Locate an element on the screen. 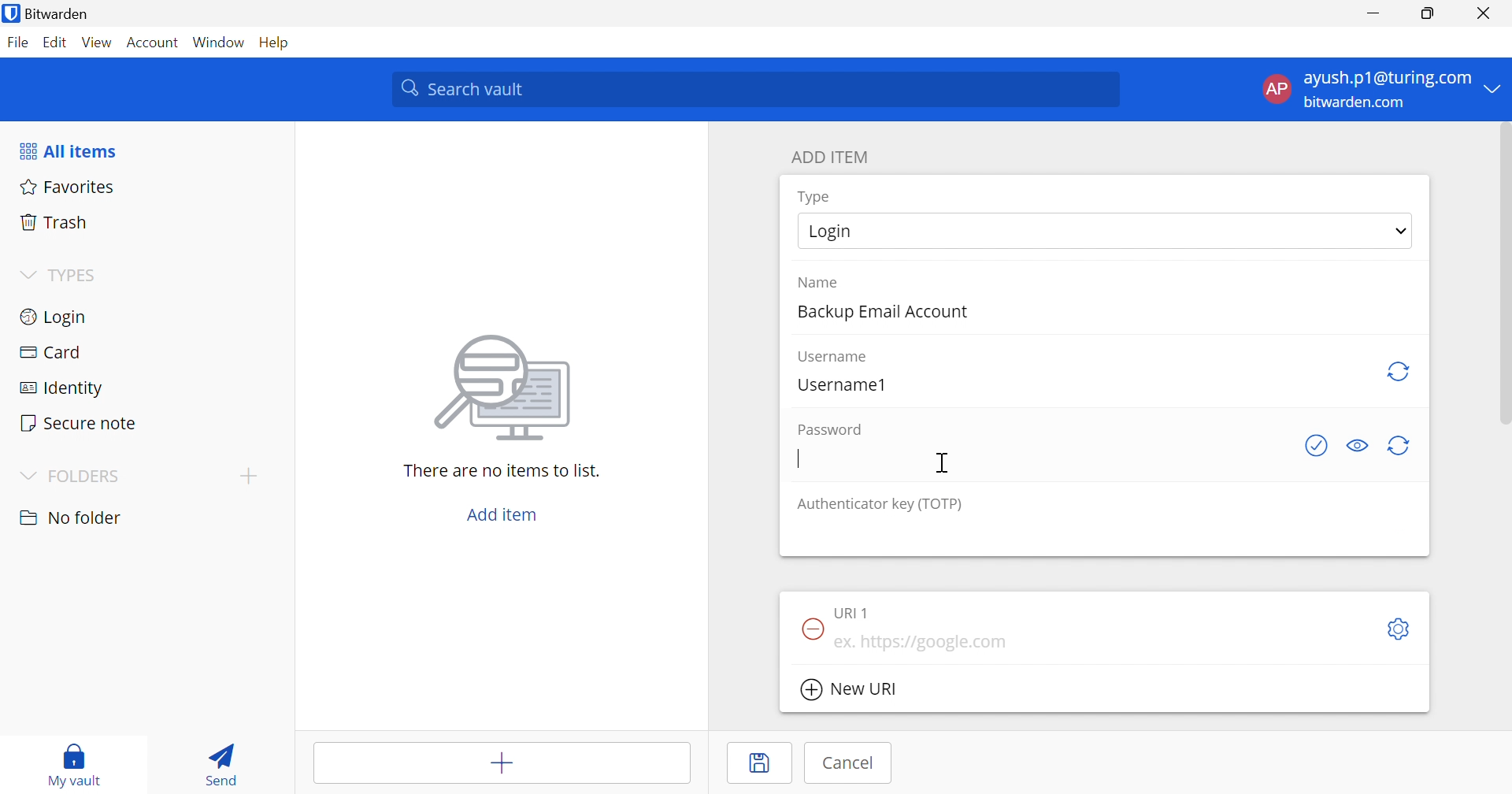 The width and height of the screenshot is (1512, 794). Login is located at coordinates (56, 317).